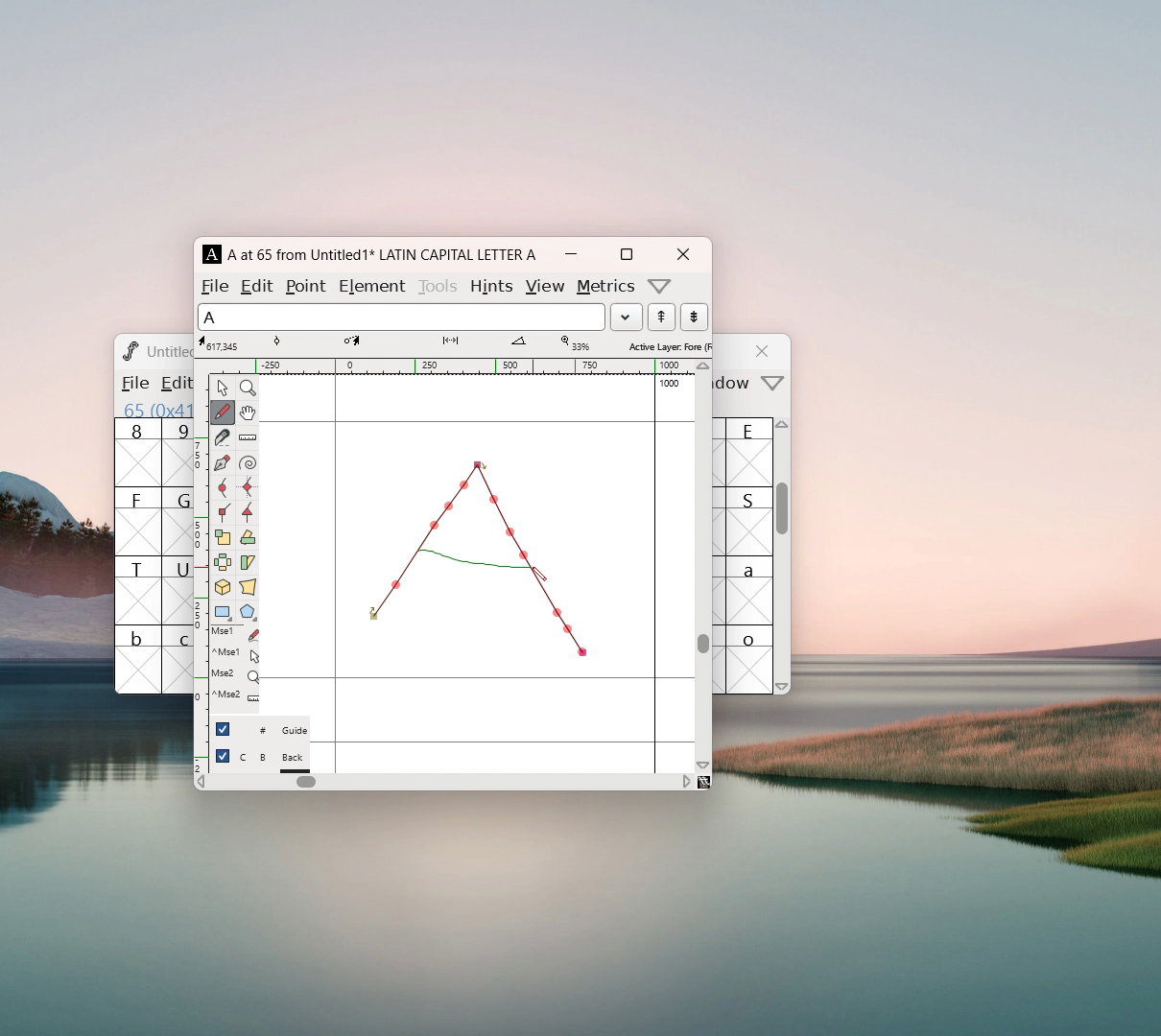  Describe the element at coordinates (682, 254) in the screenshot. I see `close` at that location.